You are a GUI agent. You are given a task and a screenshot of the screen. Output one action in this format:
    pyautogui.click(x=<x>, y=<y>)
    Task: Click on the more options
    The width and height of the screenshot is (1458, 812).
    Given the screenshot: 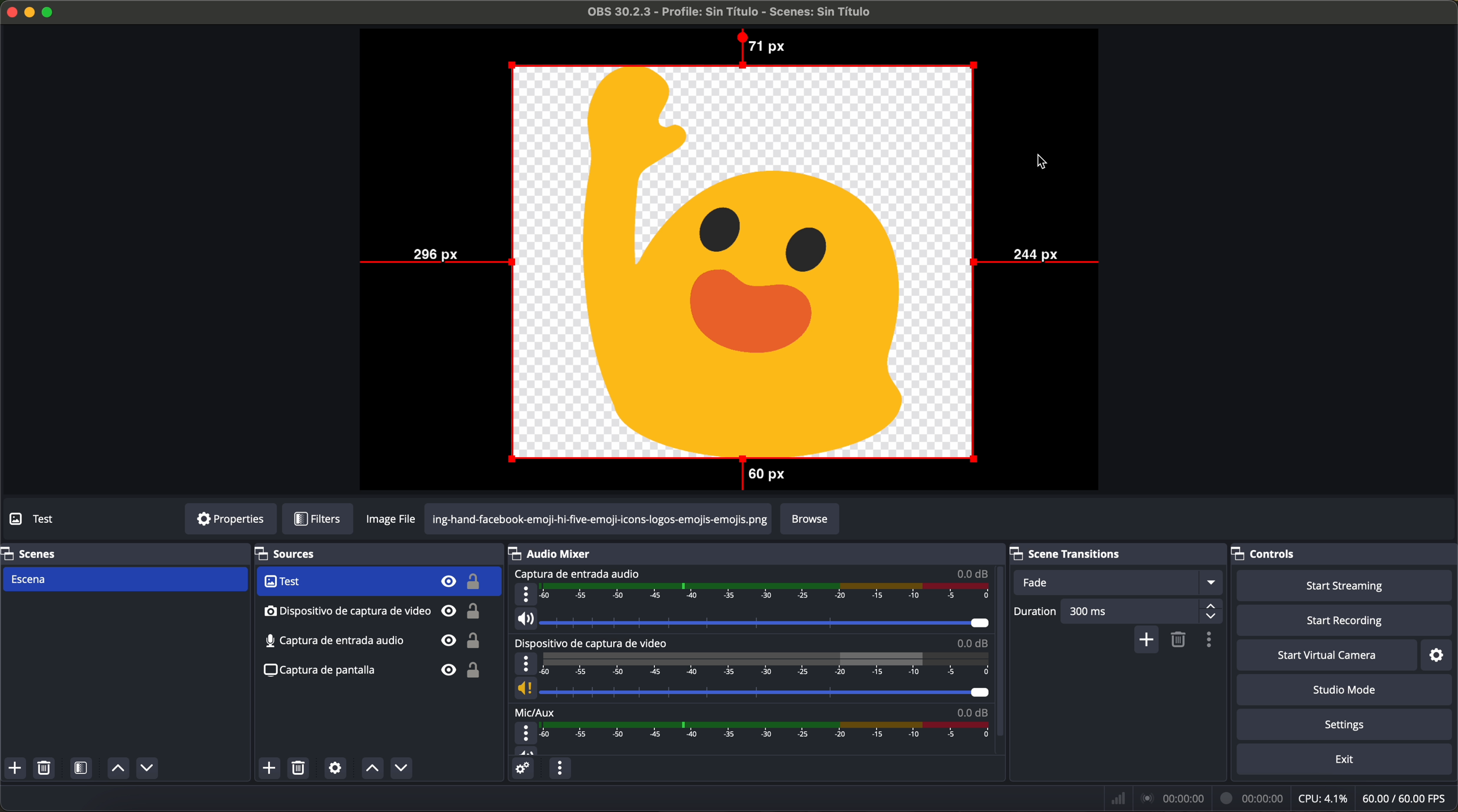 What is the action you would take?
    pyautogui.click(x=526, y=664)
    